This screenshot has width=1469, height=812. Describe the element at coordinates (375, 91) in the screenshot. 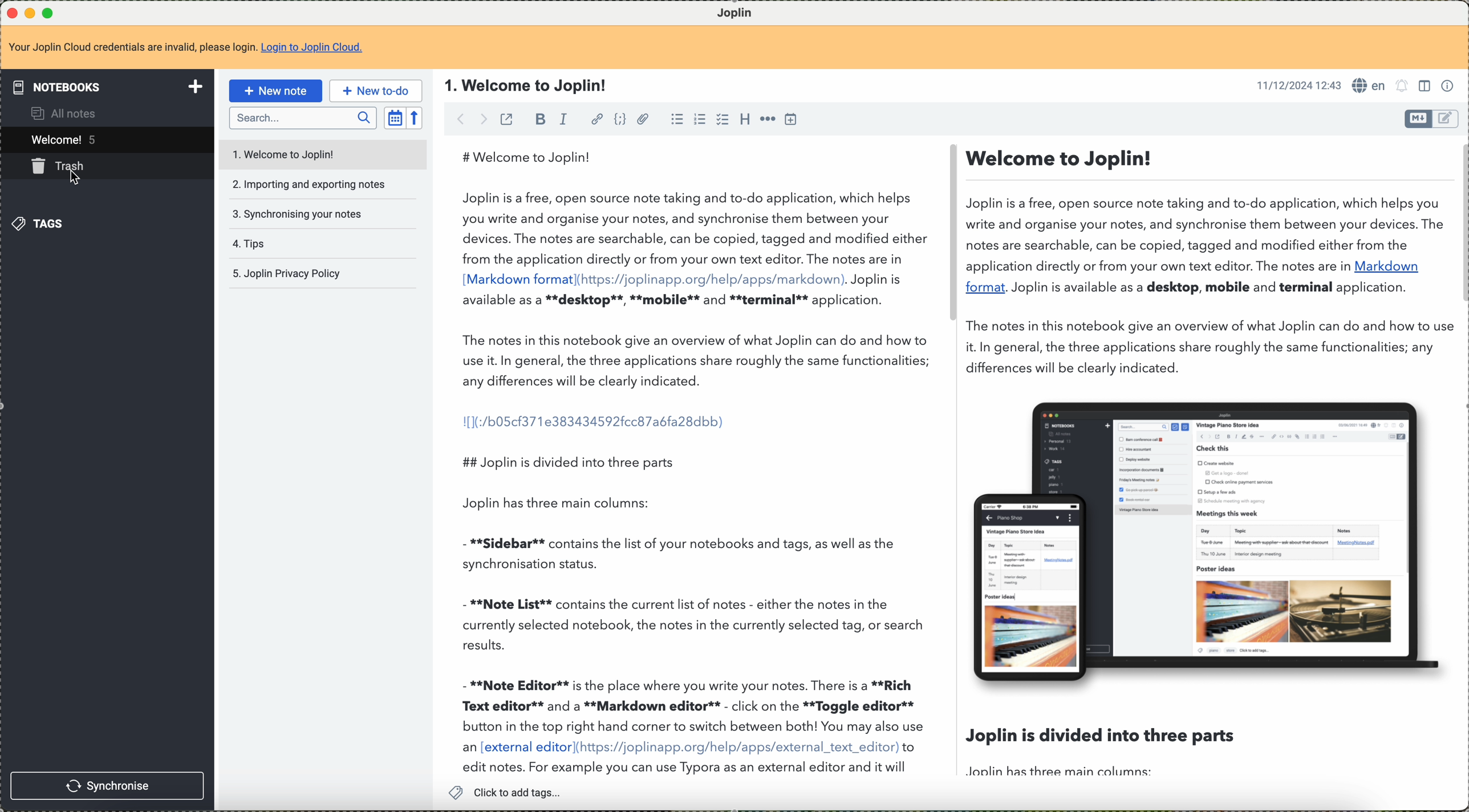

I see `new to-do` at that location.